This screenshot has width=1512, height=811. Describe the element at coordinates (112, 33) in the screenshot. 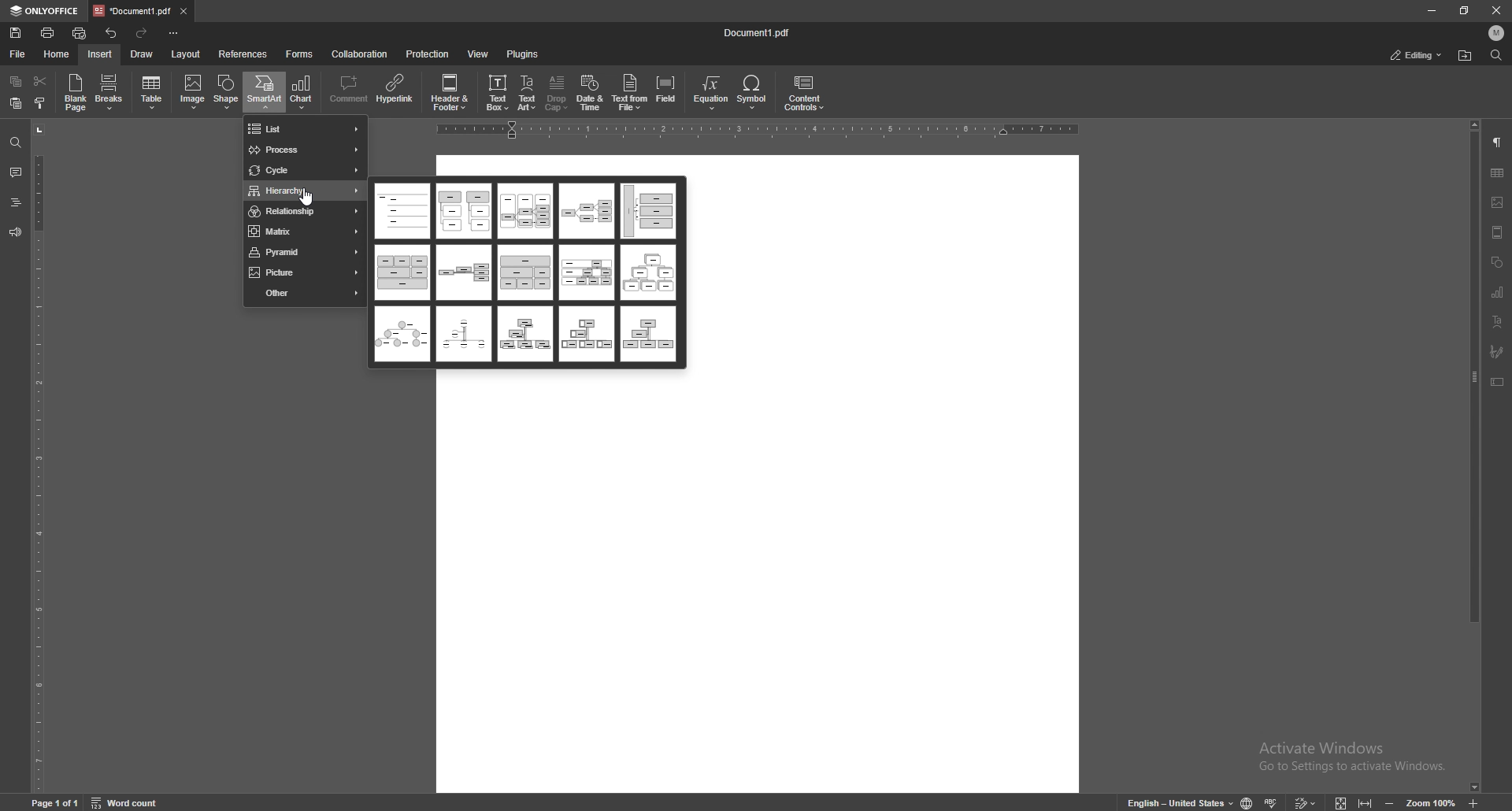

I see `undo` at that location.